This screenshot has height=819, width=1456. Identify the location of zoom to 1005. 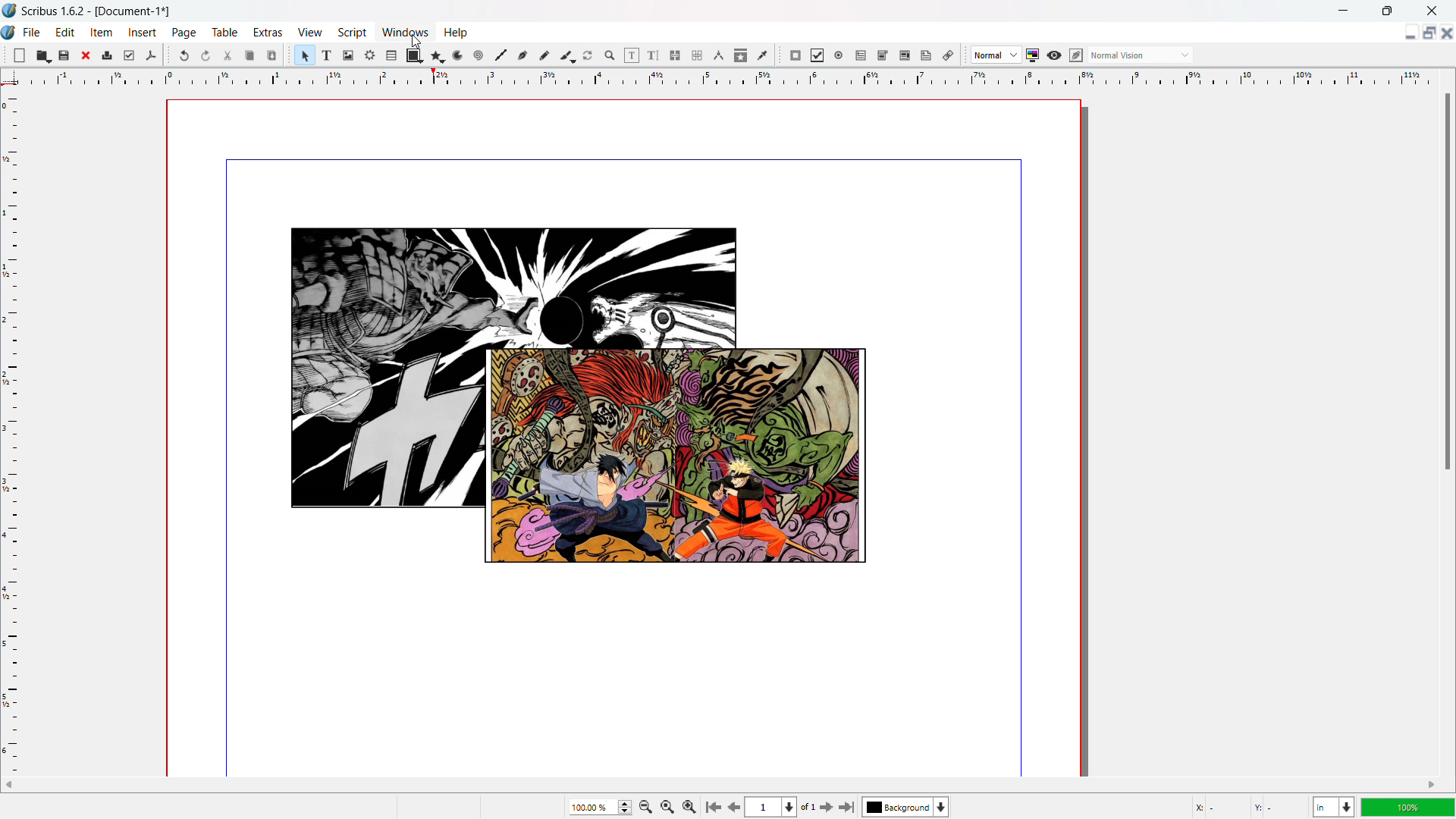
(667, 806).